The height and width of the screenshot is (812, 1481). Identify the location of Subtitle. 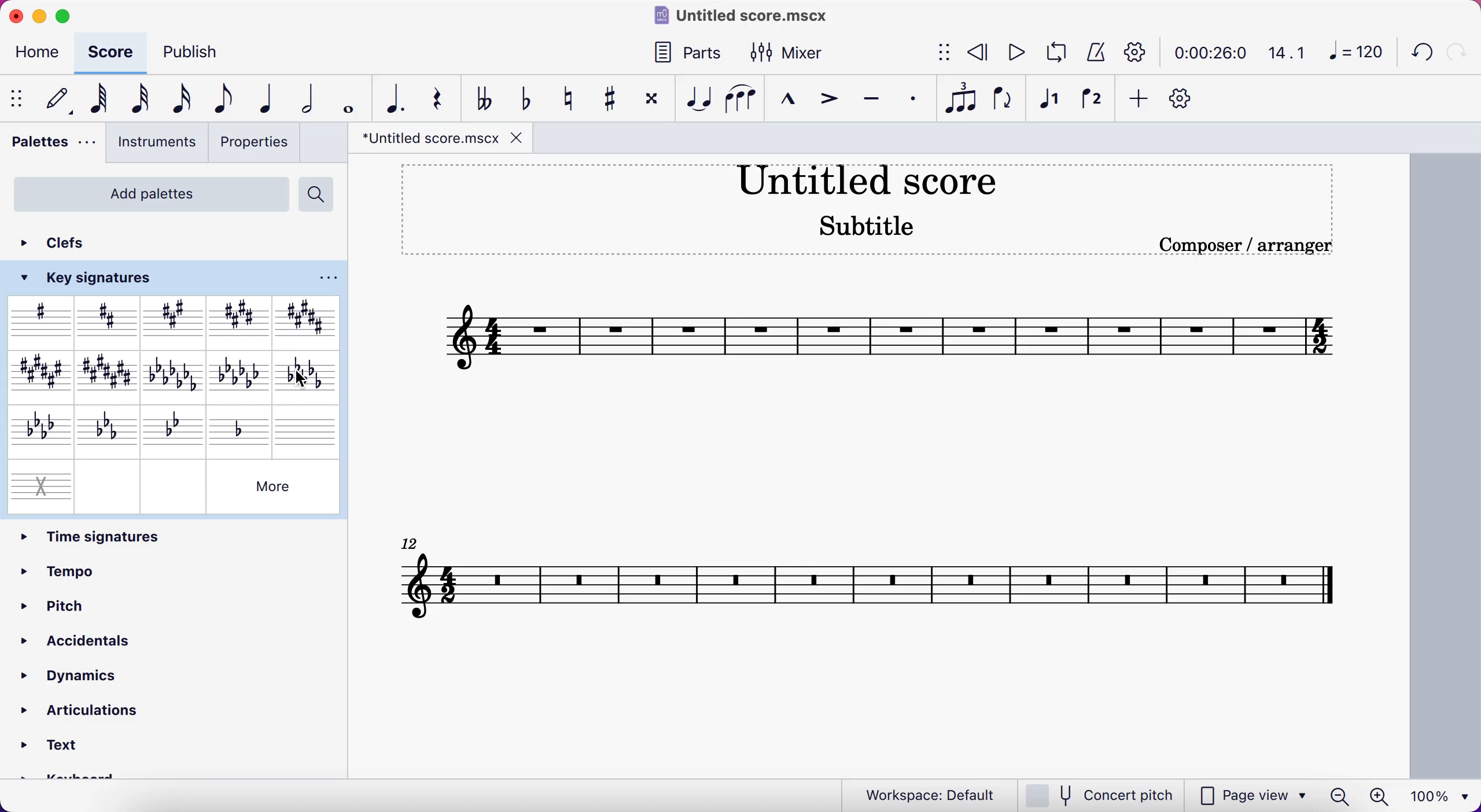
(864, 226).